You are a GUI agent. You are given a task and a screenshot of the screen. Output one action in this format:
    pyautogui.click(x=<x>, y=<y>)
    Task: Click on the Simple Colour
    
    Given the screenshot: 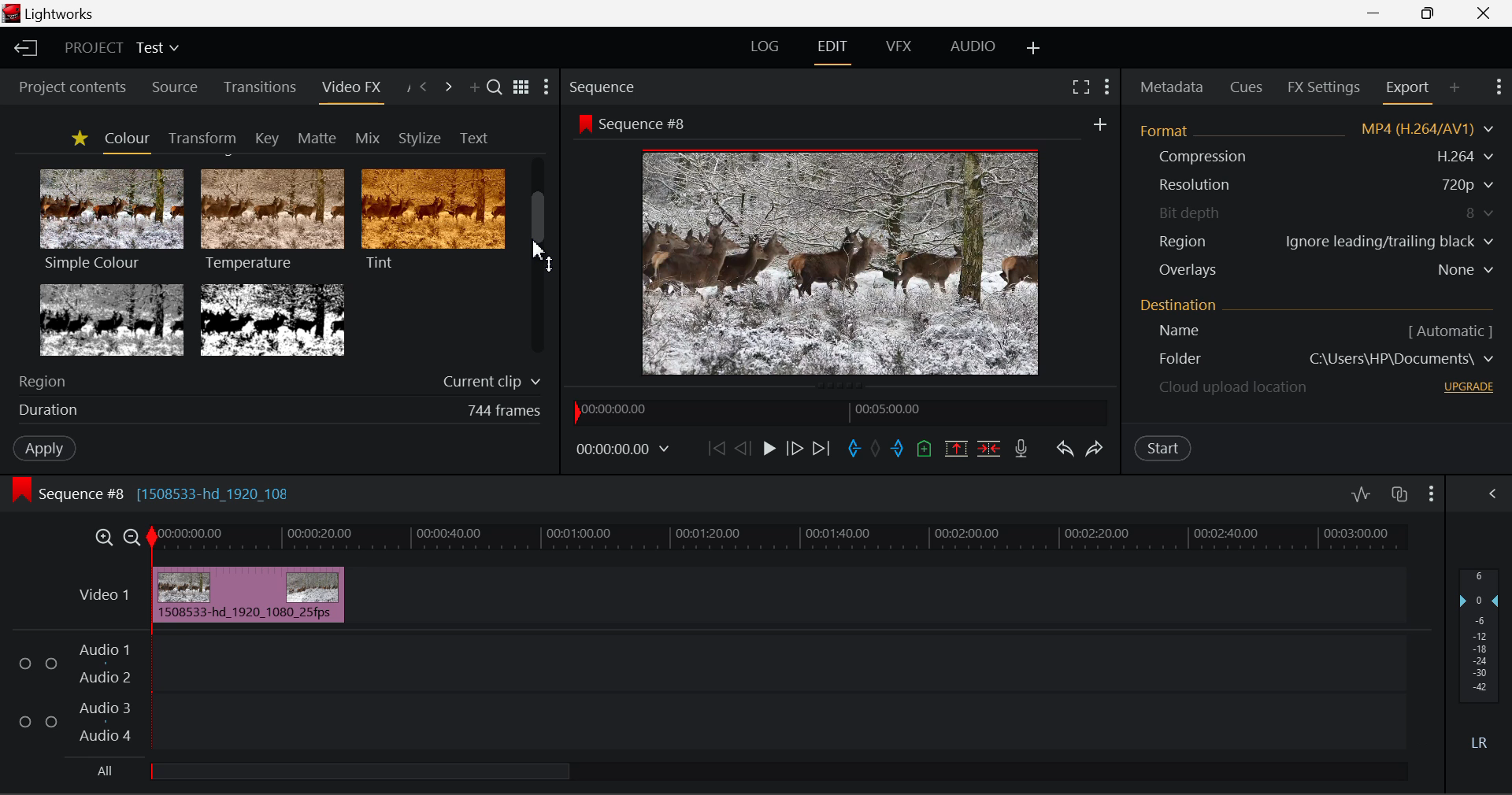 What is the action you would take?
    pyautogui.click(x=110, y=219)
    